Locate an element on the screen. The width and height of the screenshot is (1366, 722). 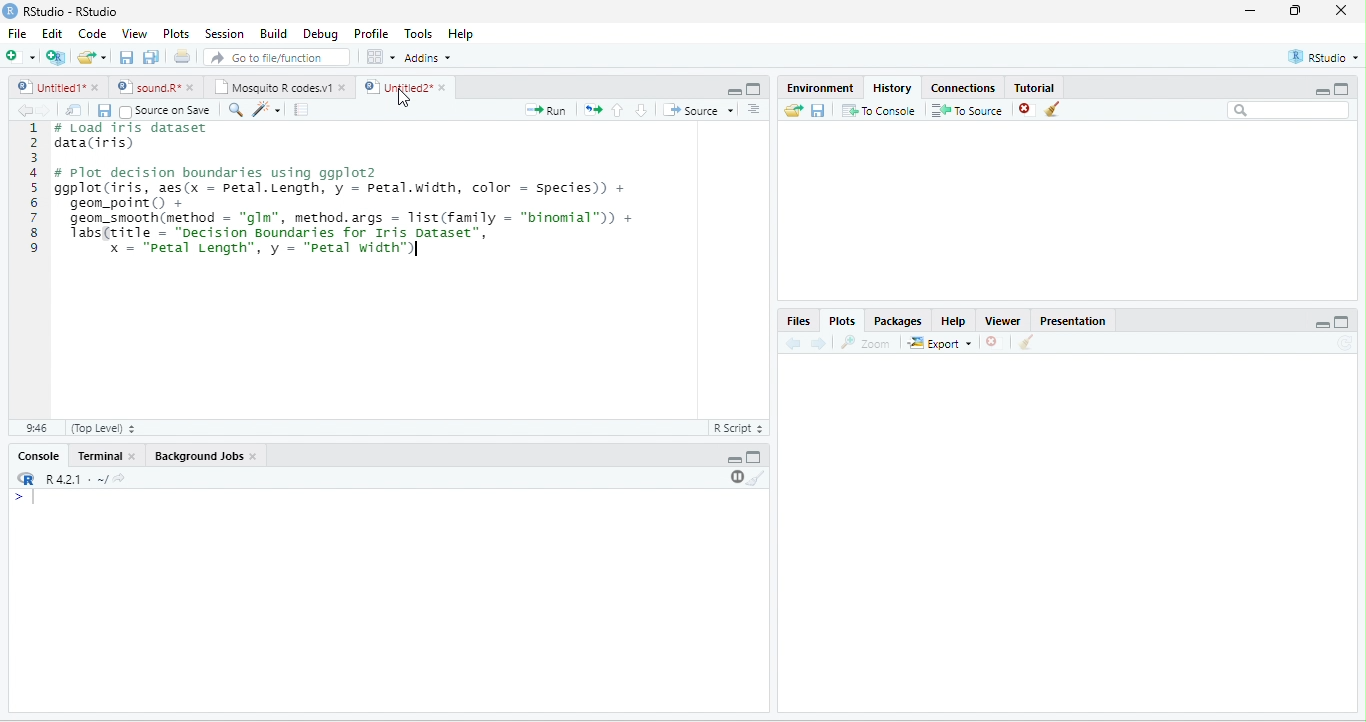
close is located at coordinates (97, 87).